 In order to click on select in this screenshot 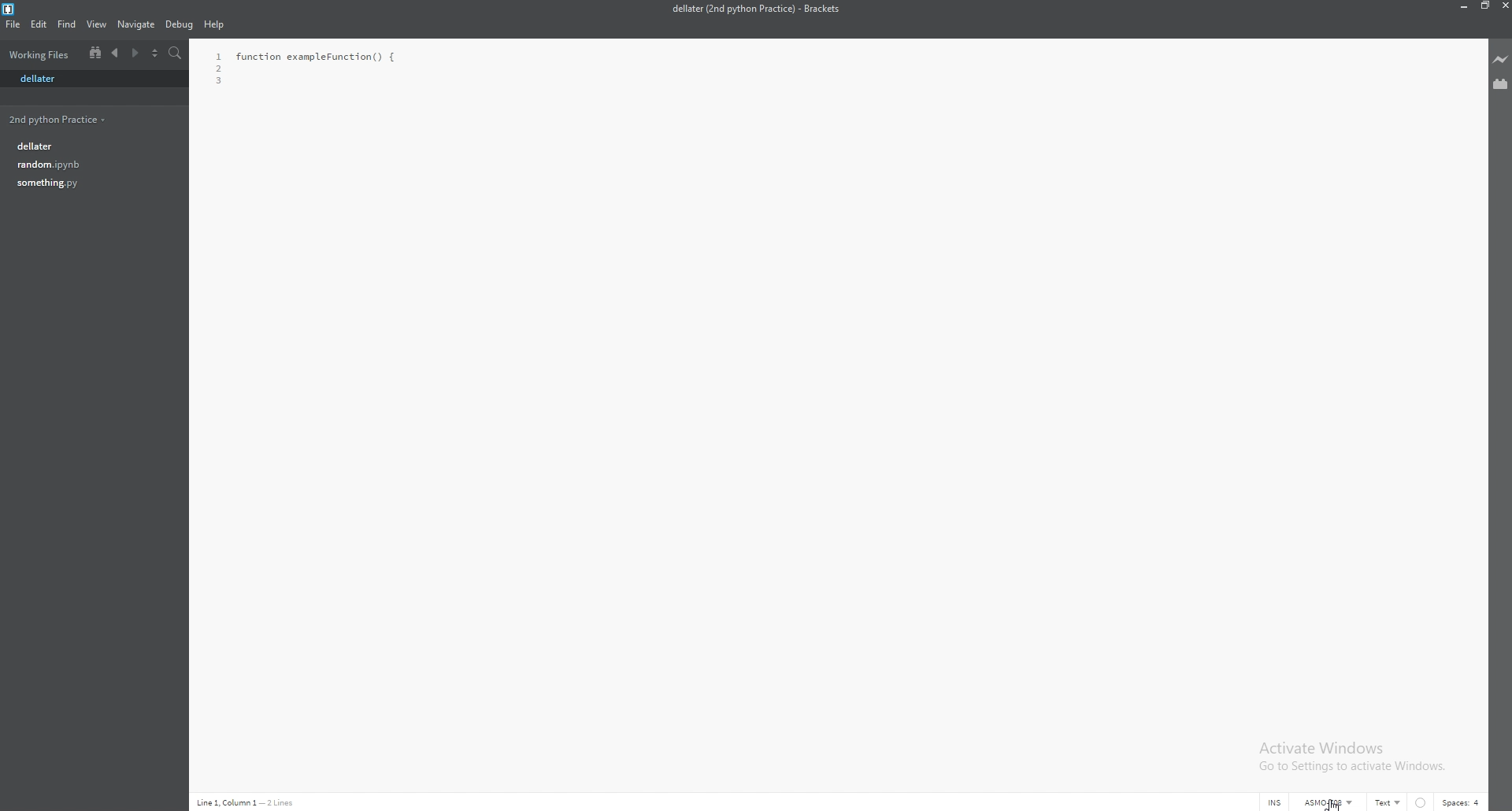, I will do `click(154, 54)`.